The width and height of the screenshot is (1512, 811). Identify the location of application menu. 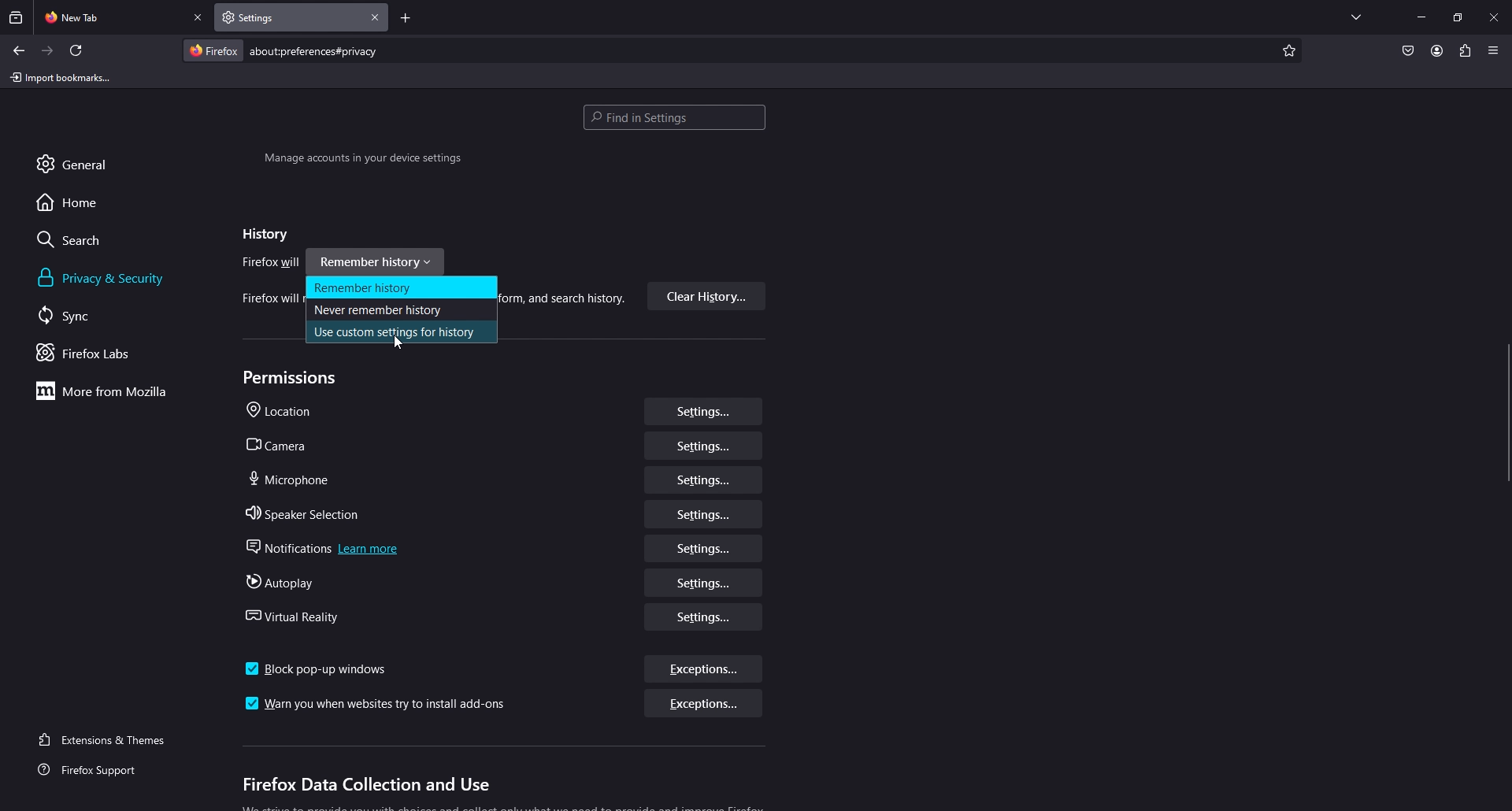
(1492, 50).